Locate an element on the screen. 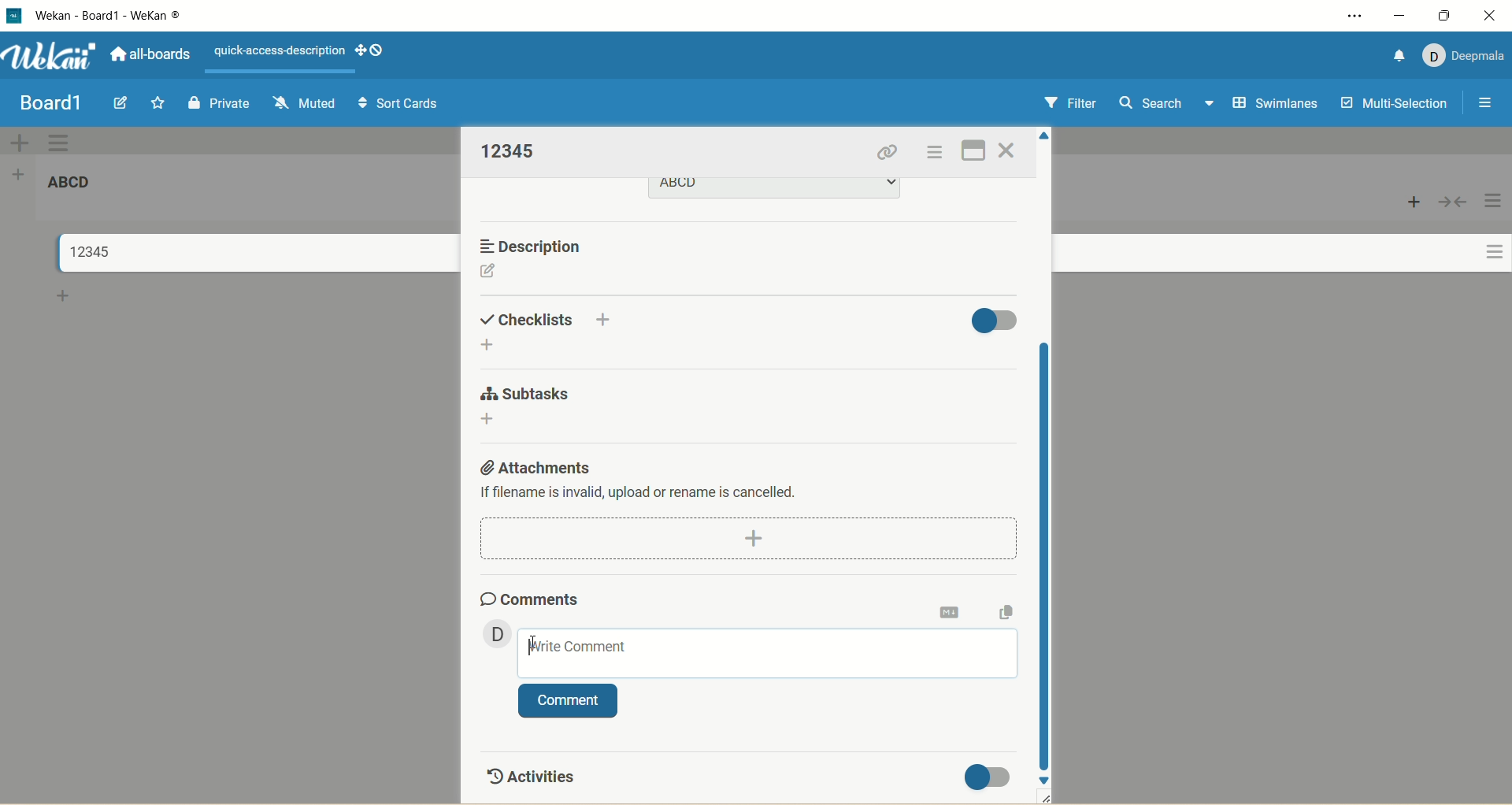 The height and width of the screenshot is (805, 1512). add list is located at coordinates (23, 173).